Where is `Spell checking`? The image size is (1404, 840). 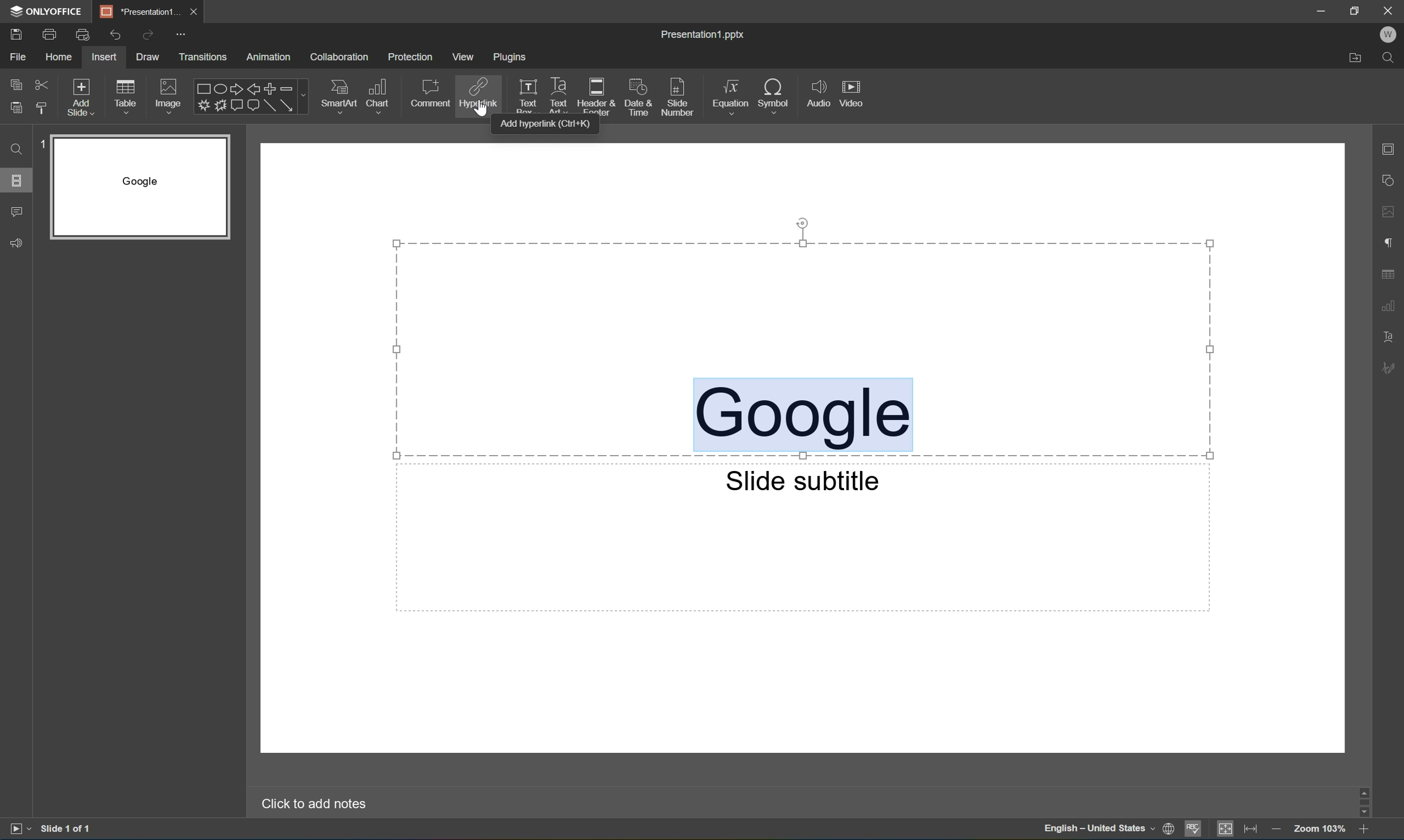
Spell checking is located at coordinates (1194, 830).